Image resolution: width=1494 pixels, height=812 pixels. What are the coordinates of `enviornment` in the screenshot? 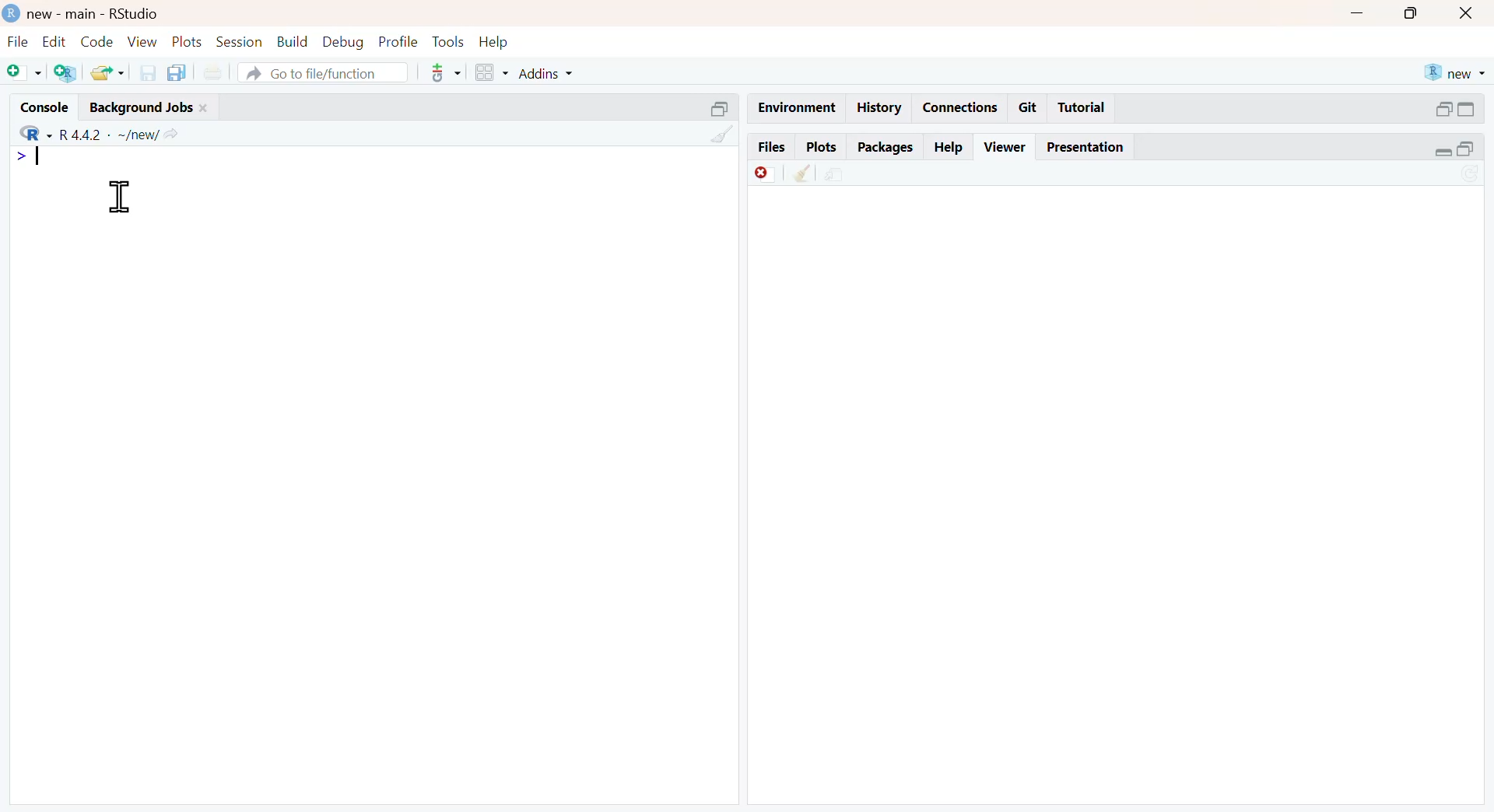 It's located at (798, 108).